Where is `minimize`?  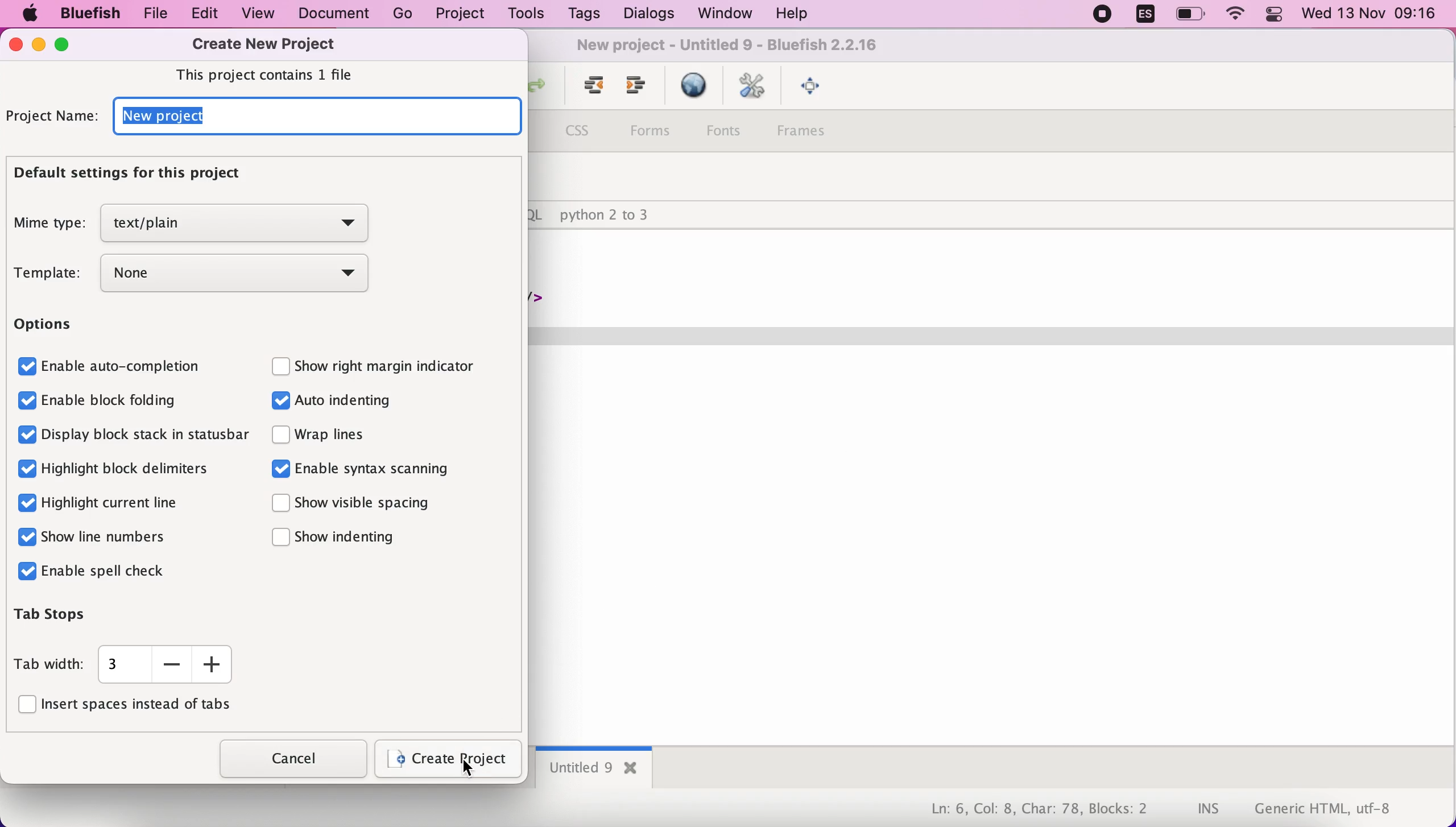 minimize is located at coordinates (38, 46).